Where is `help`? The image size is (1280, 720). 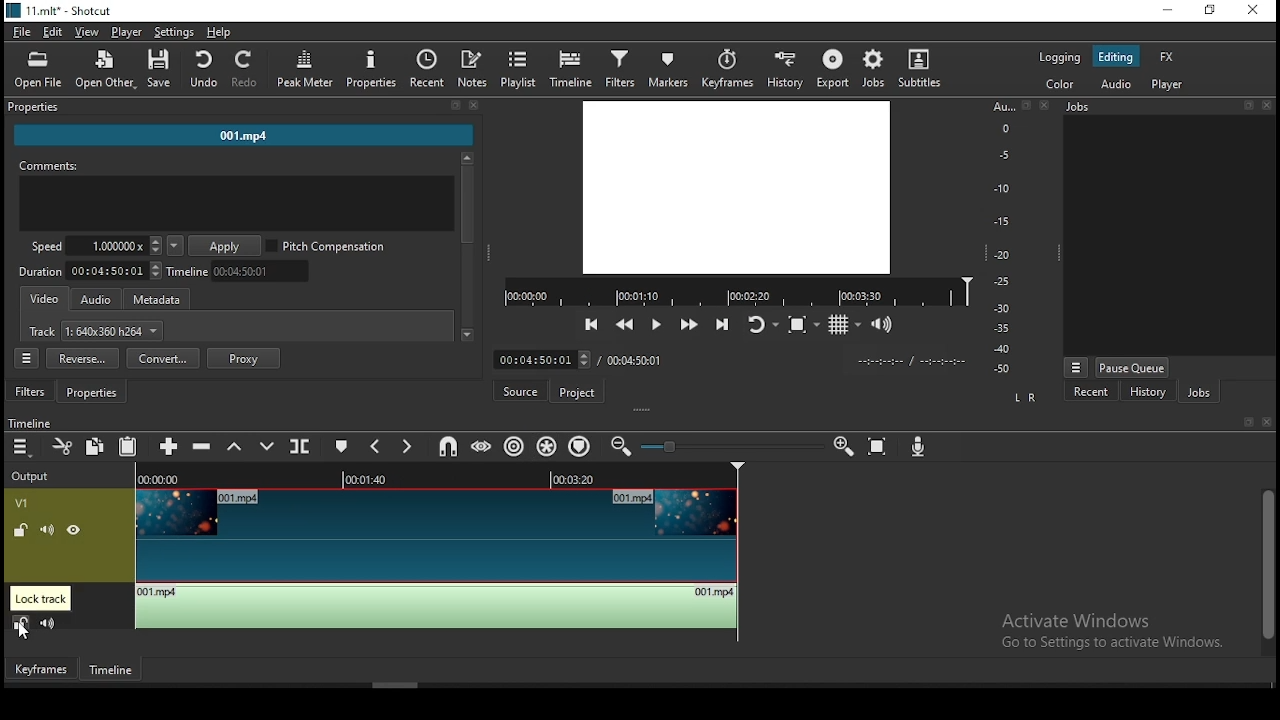 help is located at coordinates (220, 32).